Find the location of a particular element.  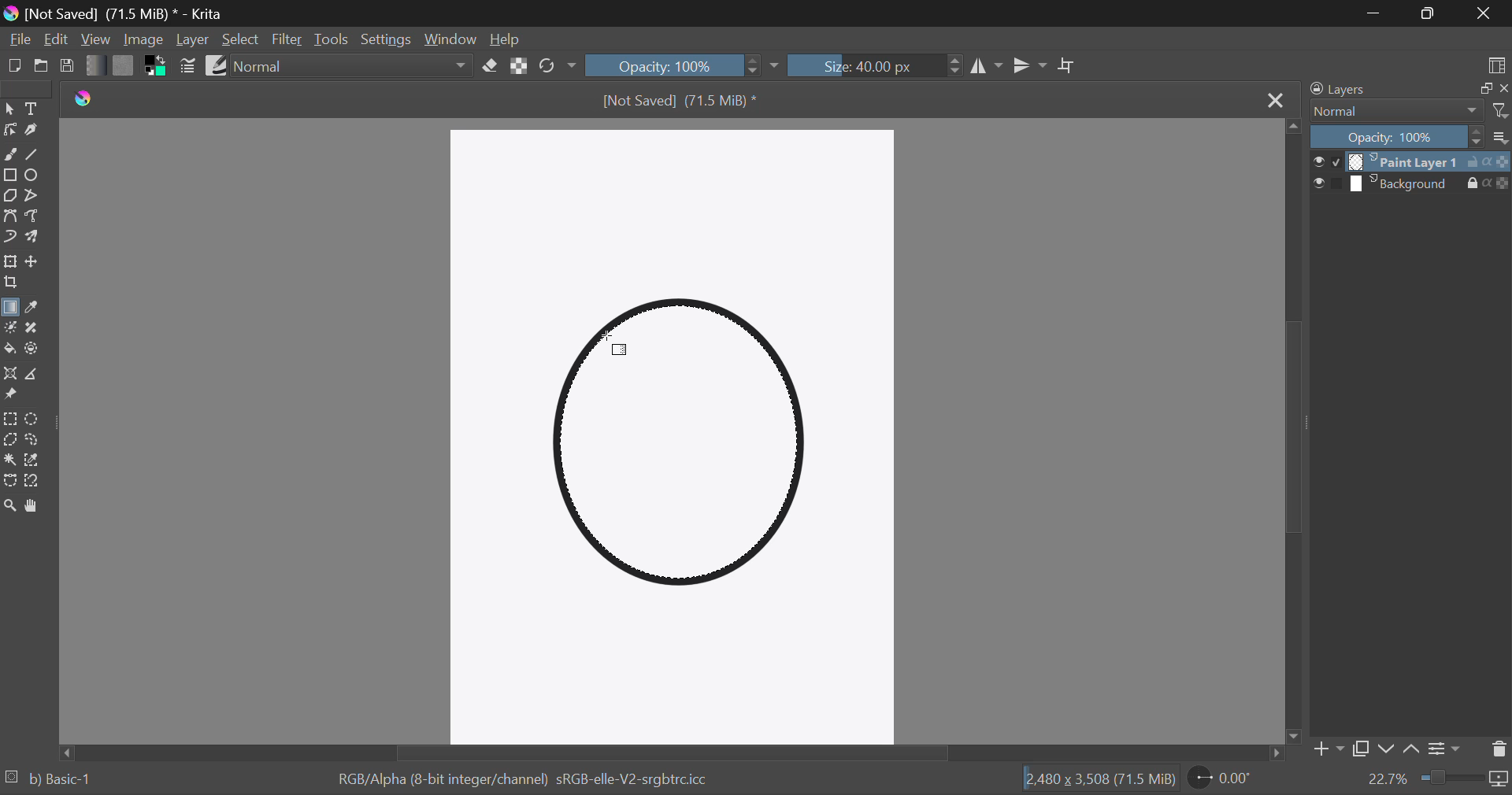

View is located at coordinates (95, 40).